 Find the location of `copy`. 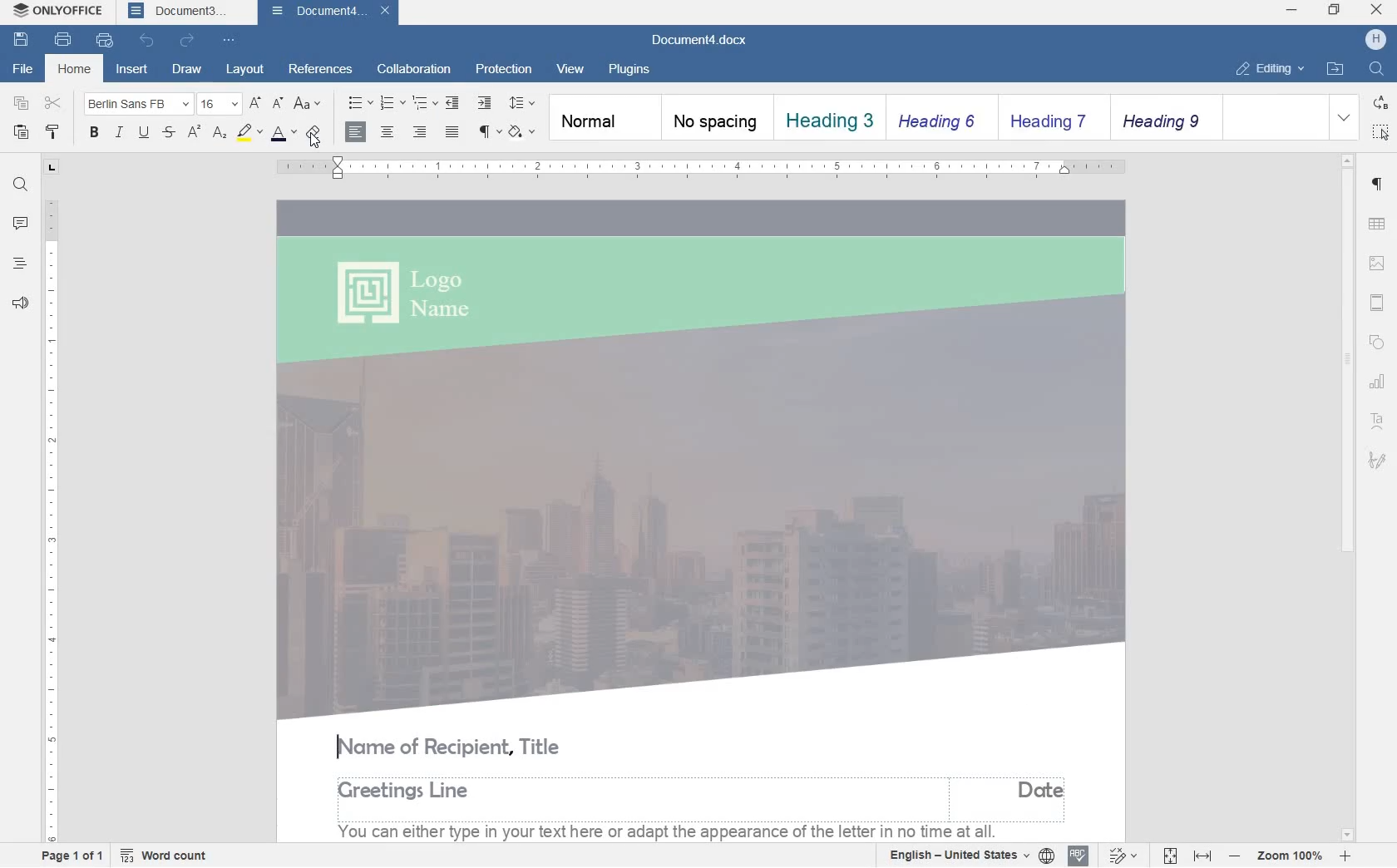

copy is located at coordinates (21, 103).